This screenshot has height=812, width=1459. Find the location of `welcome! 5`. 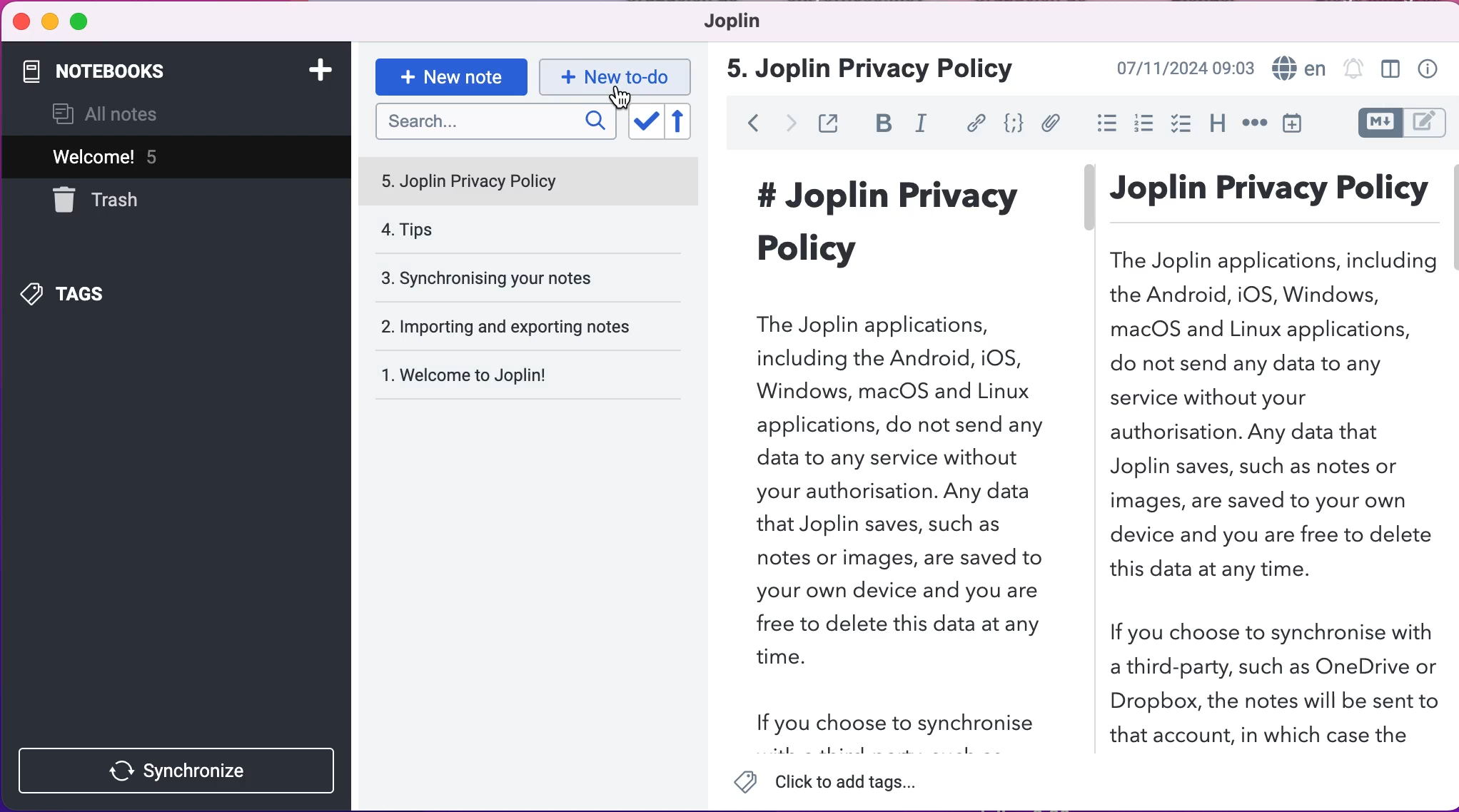

welcome! 5 is located at coordinates (158, 156).